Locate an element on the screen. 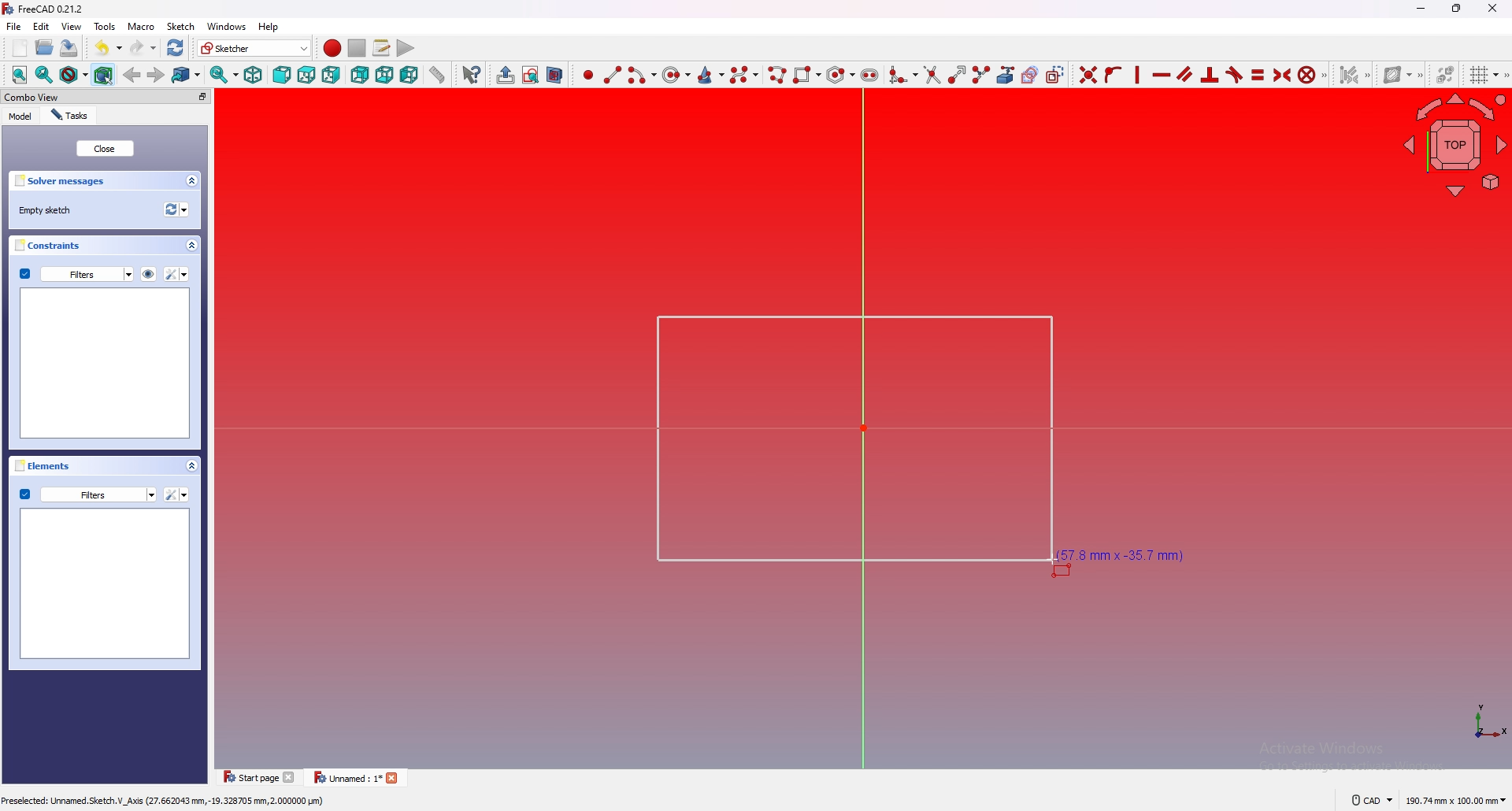 The height and width of the screenshot is (811, 1512). tools is located at coordinates (105, 26).